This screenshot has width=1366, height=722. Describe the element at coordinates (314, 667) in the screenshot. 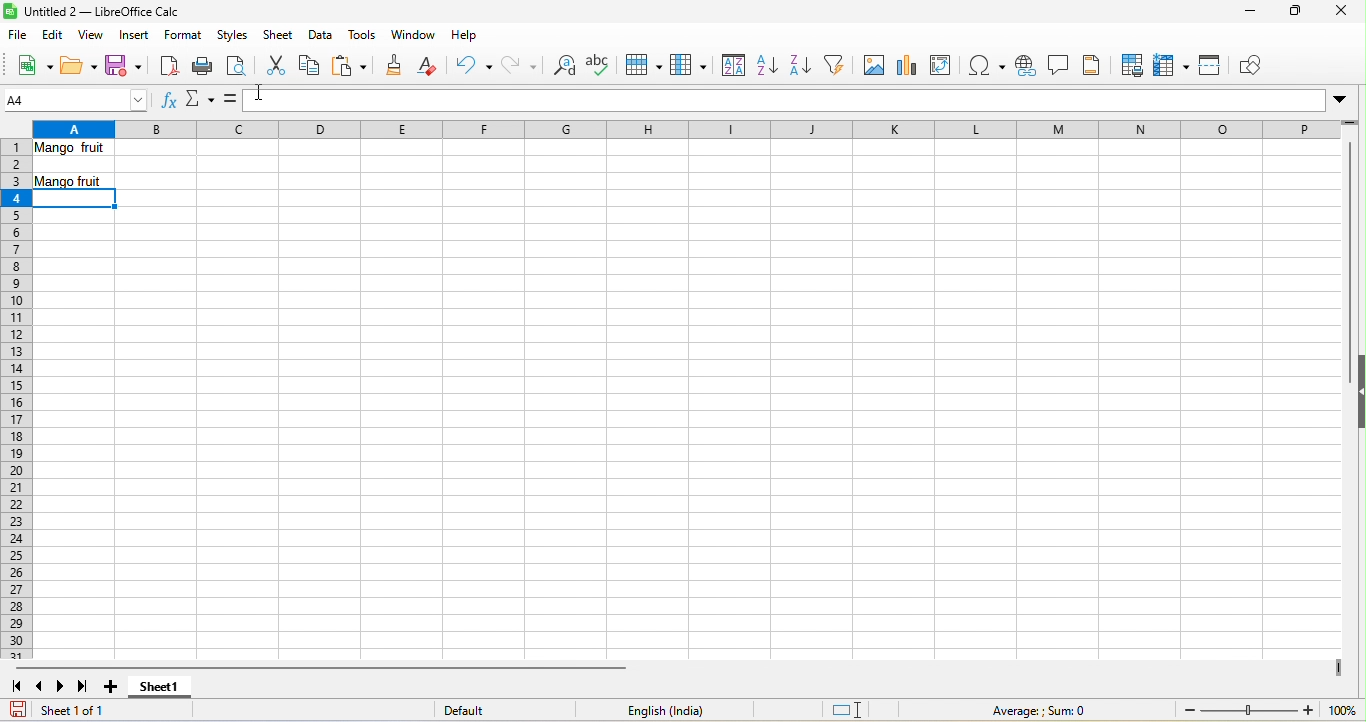

I see `horizontal scroll bar` at that location.